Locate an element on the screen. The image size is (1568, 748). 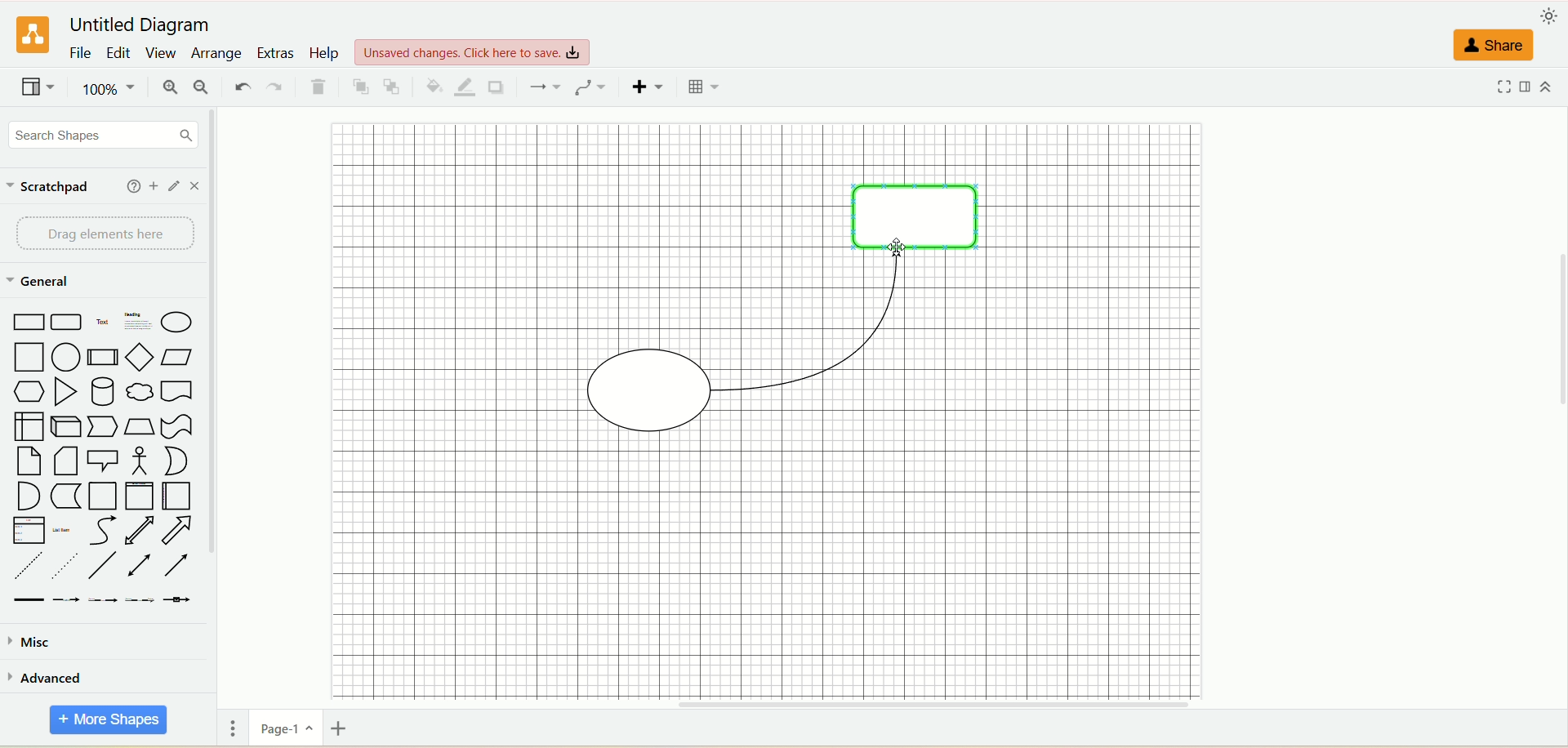
redo is located at coordinates (277, 87).